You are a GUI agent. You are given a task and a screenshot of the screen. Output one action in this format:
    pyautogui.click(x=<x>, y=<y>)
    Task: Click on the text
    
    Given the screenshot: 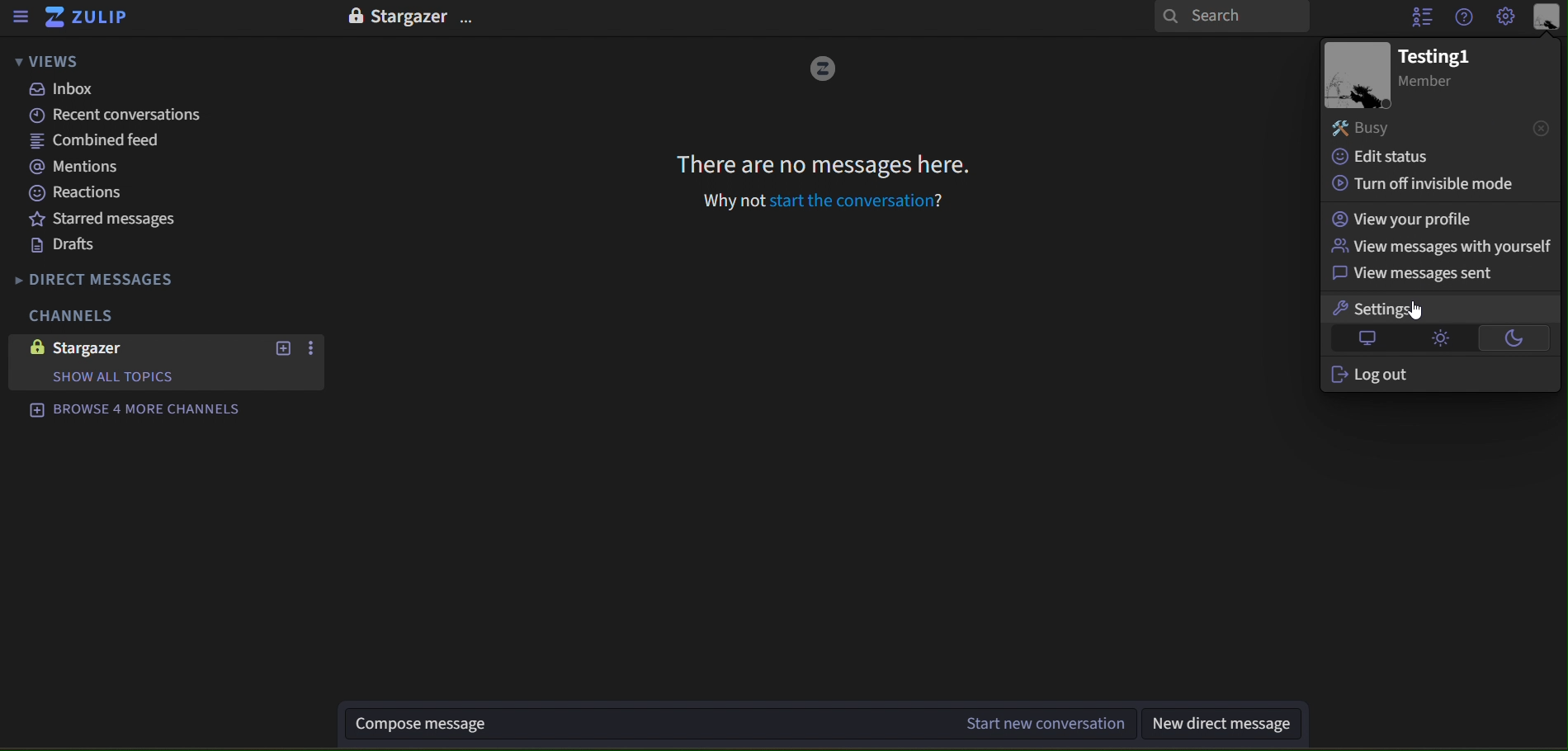 What is the action you would take?
    pyautogui.click(x=413, y=18)
    